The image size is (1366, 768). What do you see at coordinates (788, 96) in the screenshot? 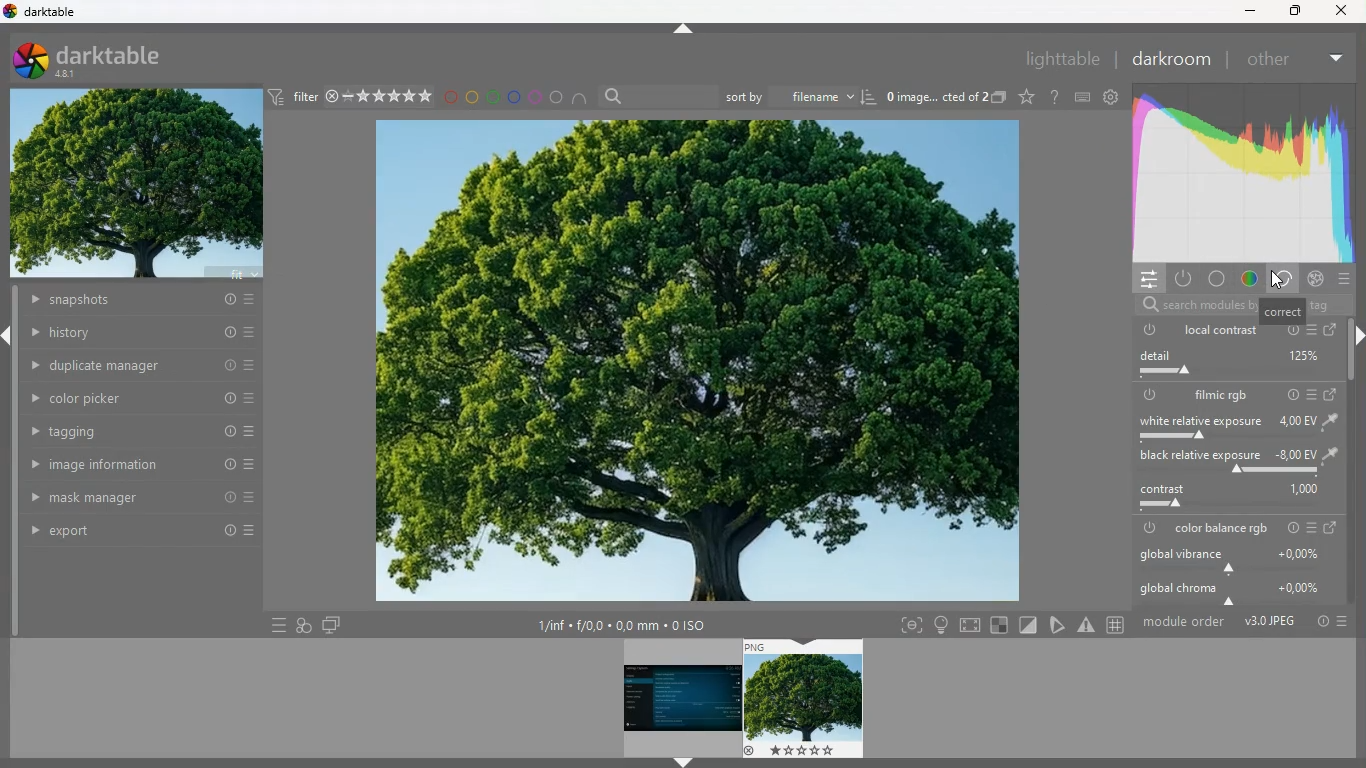
I see `sort by filename` at bounding box center [788, 96].